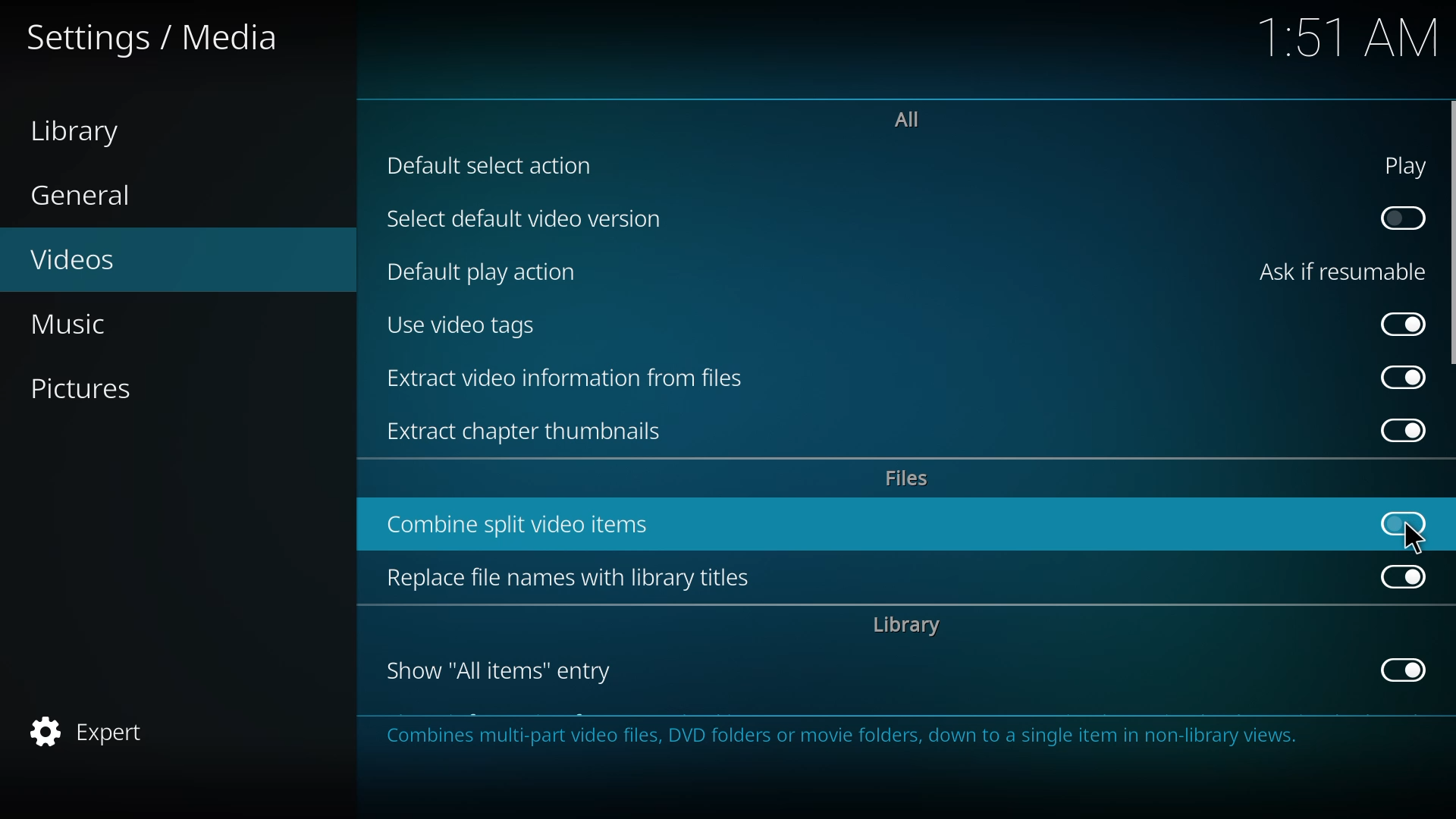 The width and height of the screenshot is (1456, 819). Describe the element at coordinates (1414, 538) in the screenshot. I see `cursor` at that location.